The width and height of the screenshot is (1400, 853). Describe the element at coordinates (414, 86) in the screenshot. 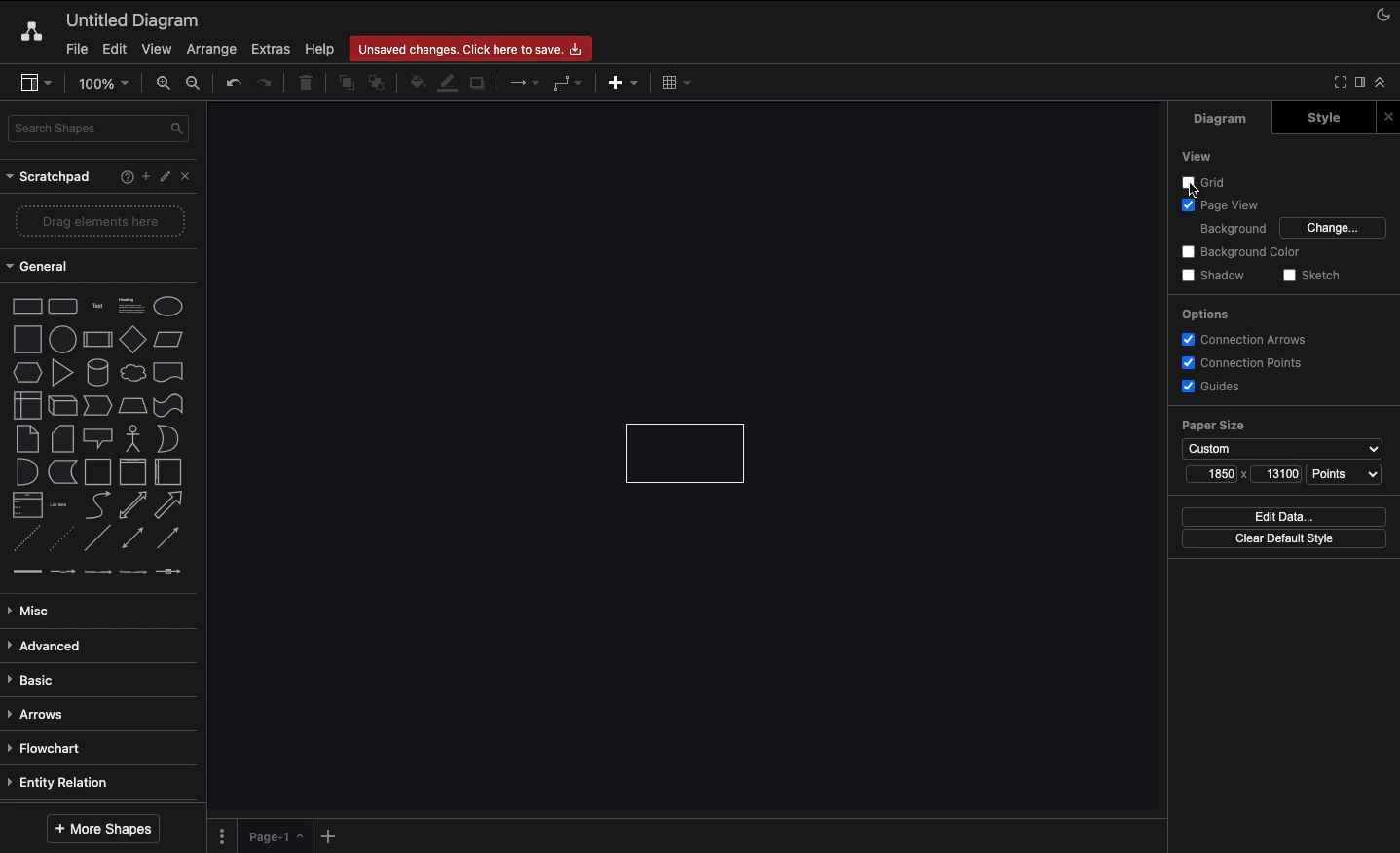

I see `Fill color` at that location.